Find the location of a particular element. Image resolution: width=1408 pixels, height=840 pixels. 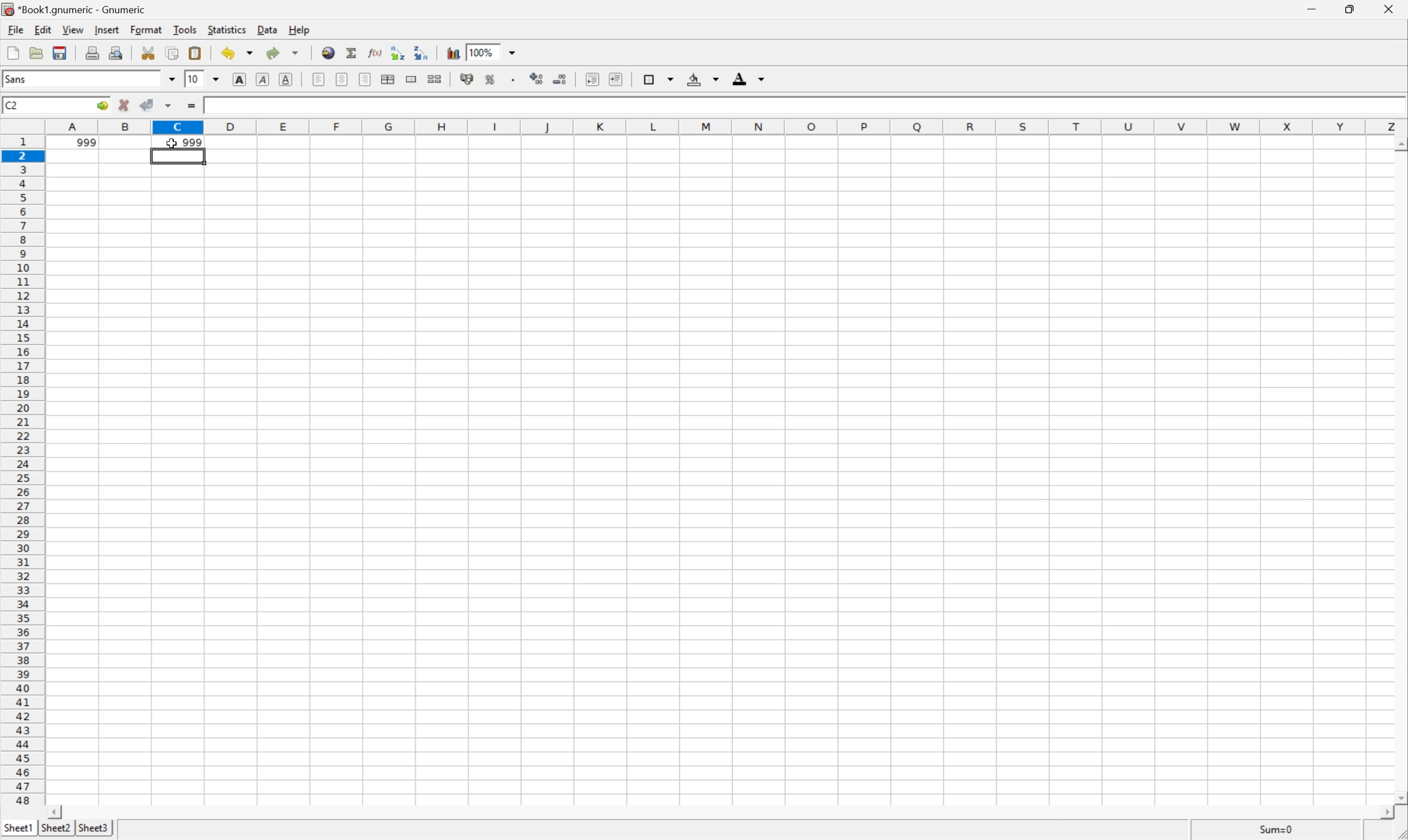

tools is located at coordinates (186, 31).